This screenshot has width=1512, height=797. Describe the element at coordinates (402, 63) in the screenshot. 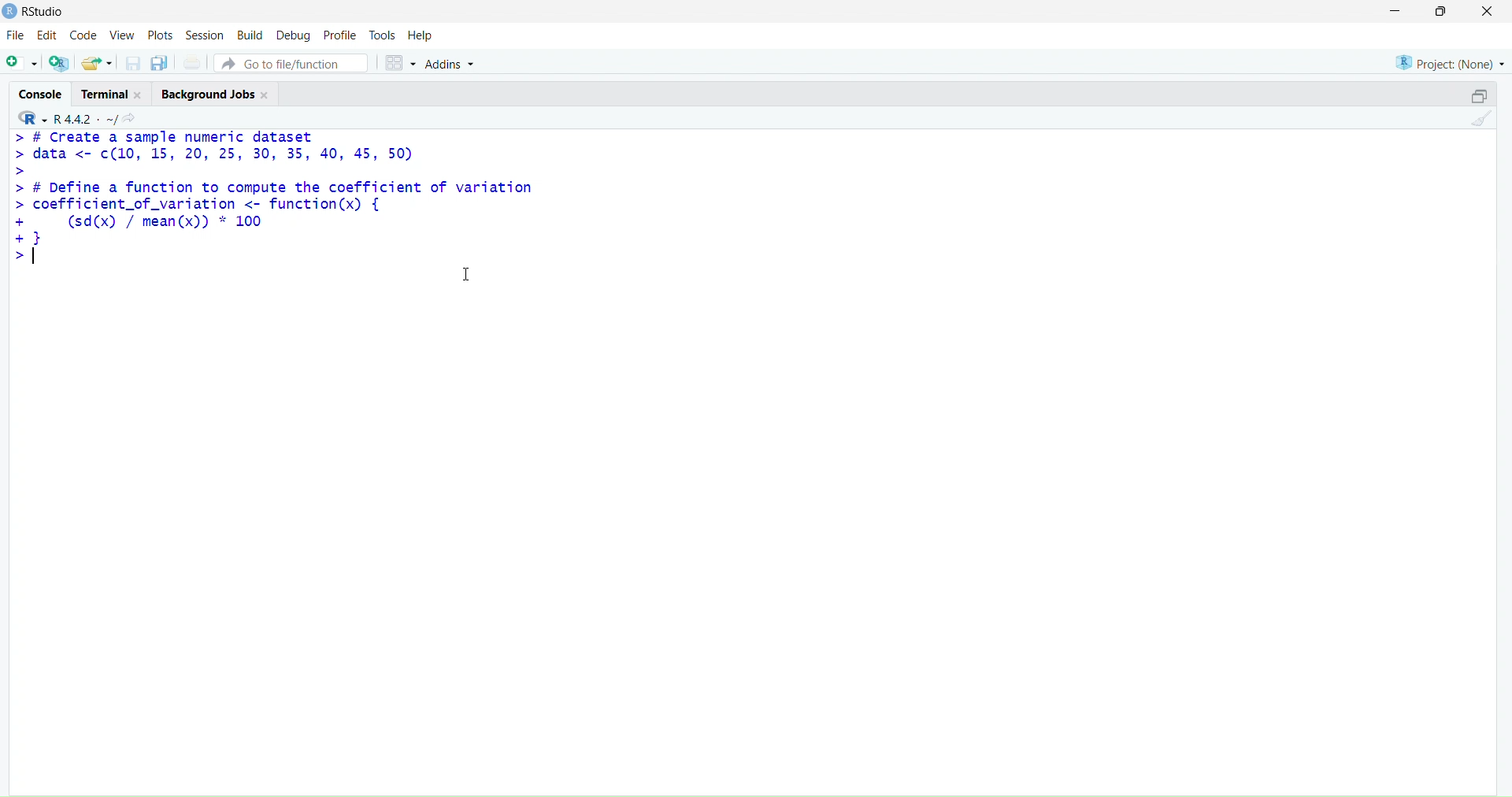

I see `grid` at that location.